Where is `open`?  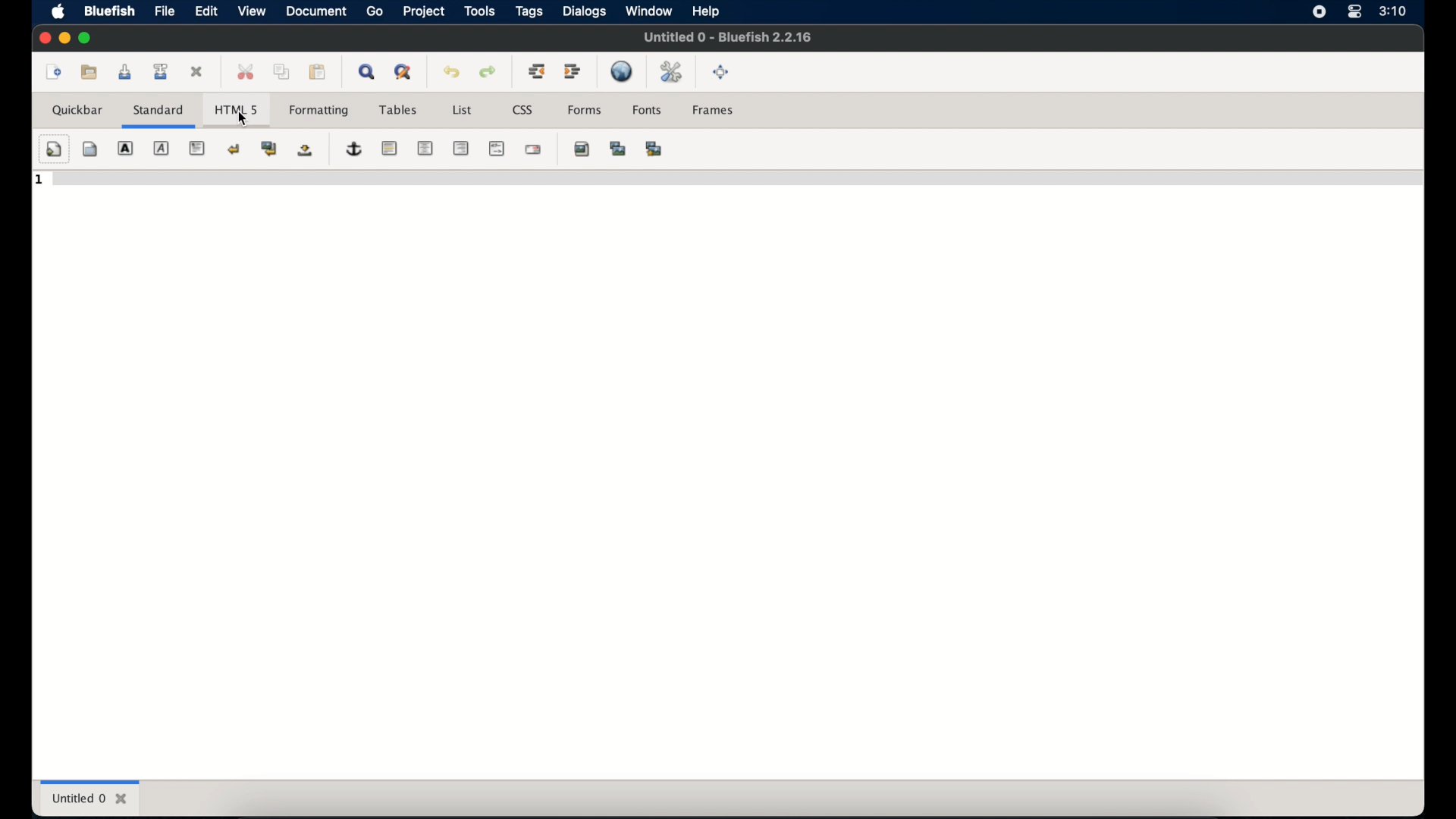
open is located at coordinates (90, 71).